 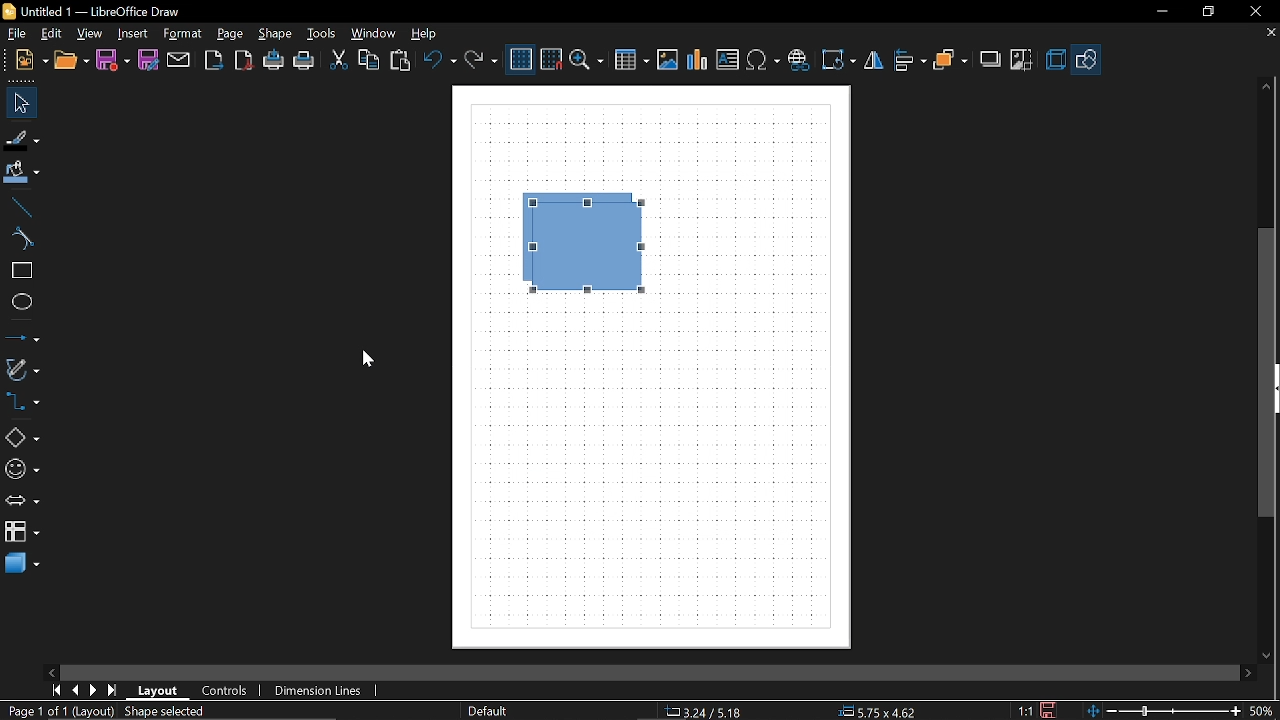 I want to click on Insert text, so click(x=764, y=60).